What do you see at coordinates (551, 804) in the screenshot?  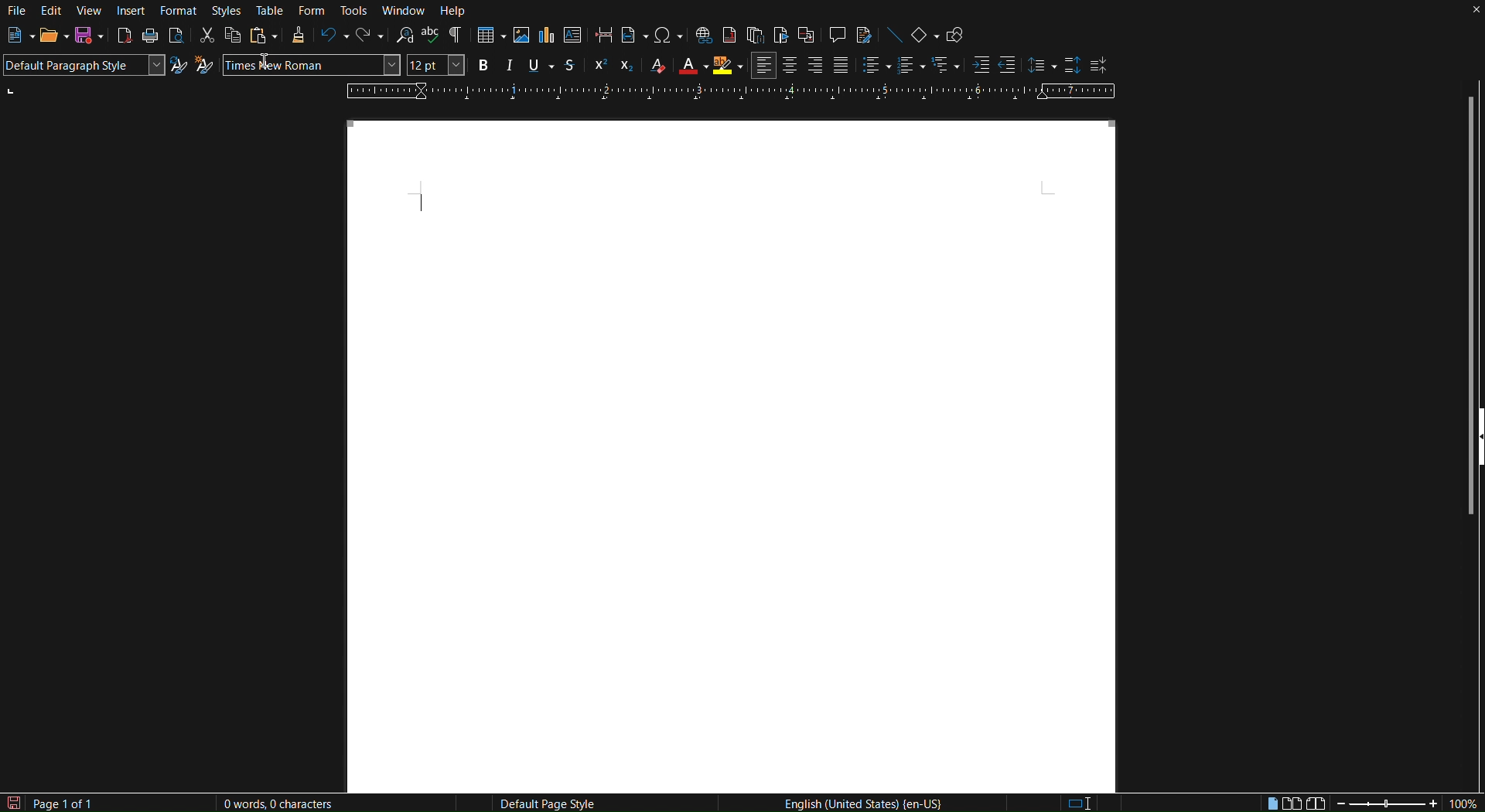 I see `Default Page Style` at bounding box center [551, 804].